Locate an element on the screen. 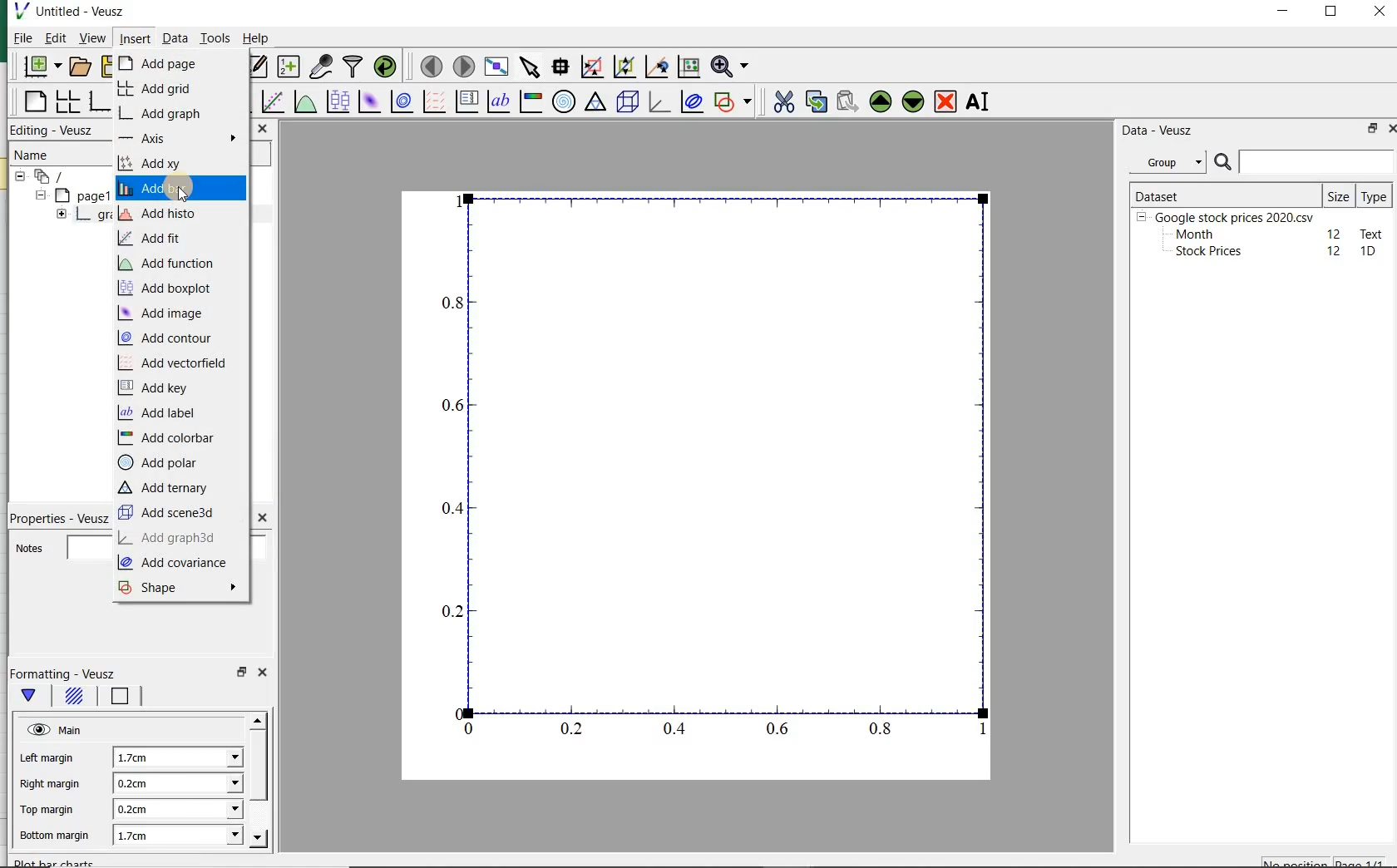 The height and width of the screenshot is (868, 1397). graph is located at coordinates (712, 467).